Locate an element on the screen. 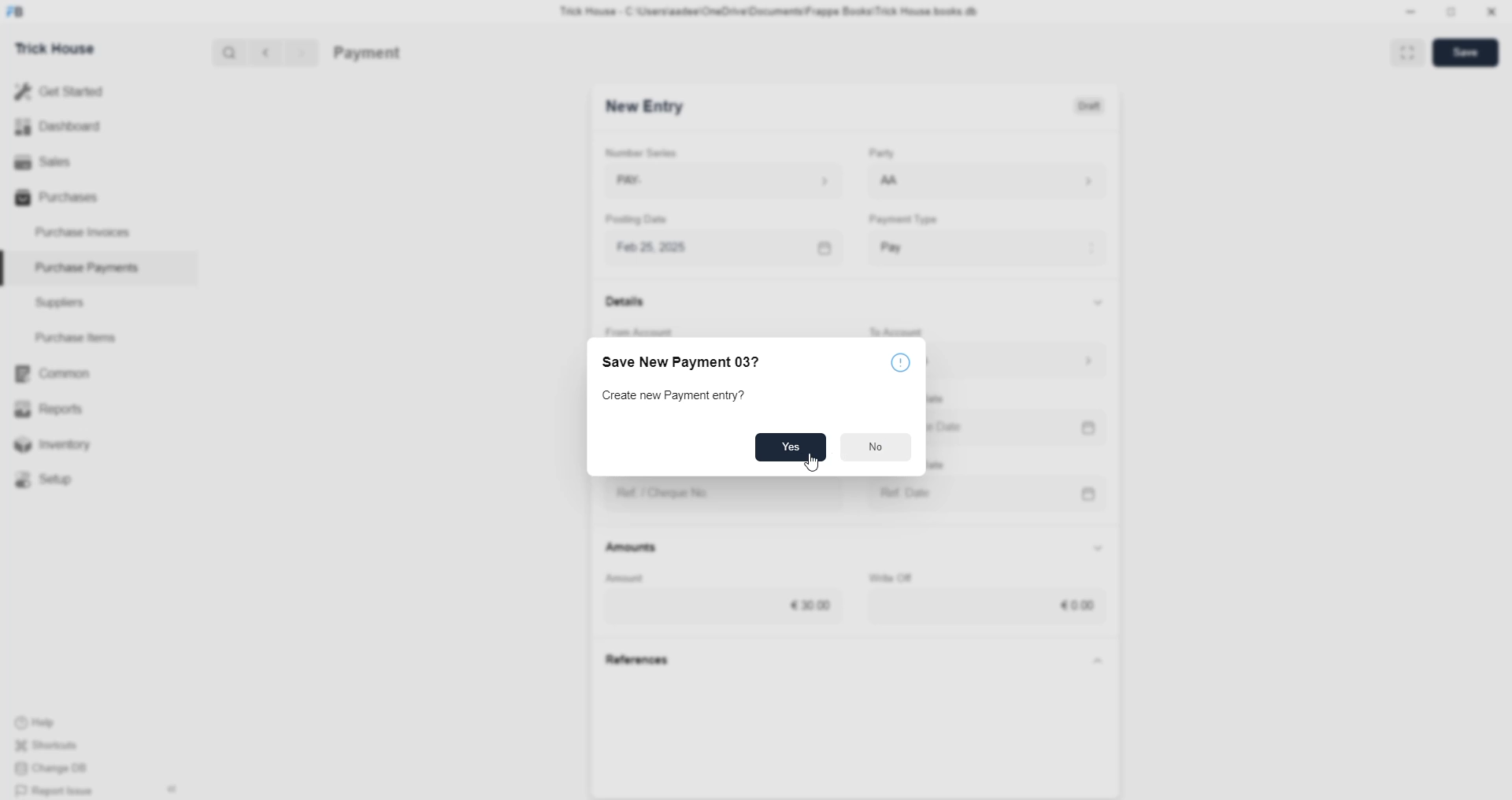 The image size is (1512, 800). From Account is located at coordinates (651, 328).